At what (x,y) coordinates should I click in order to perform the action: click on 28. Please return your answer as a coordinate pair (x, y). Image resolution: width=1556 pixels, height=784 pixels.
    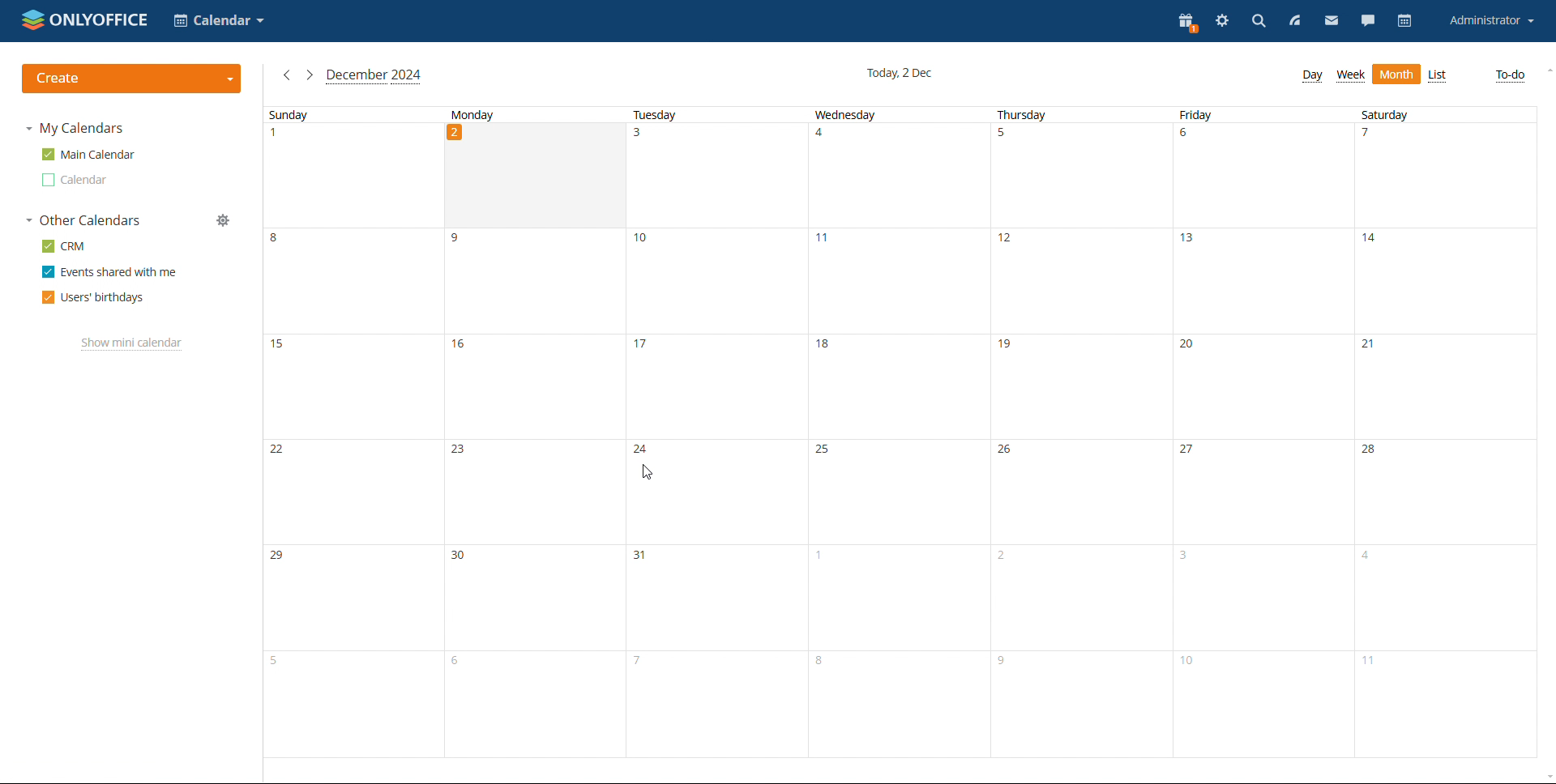
    Looking at the image, I should click on (1373, 451).